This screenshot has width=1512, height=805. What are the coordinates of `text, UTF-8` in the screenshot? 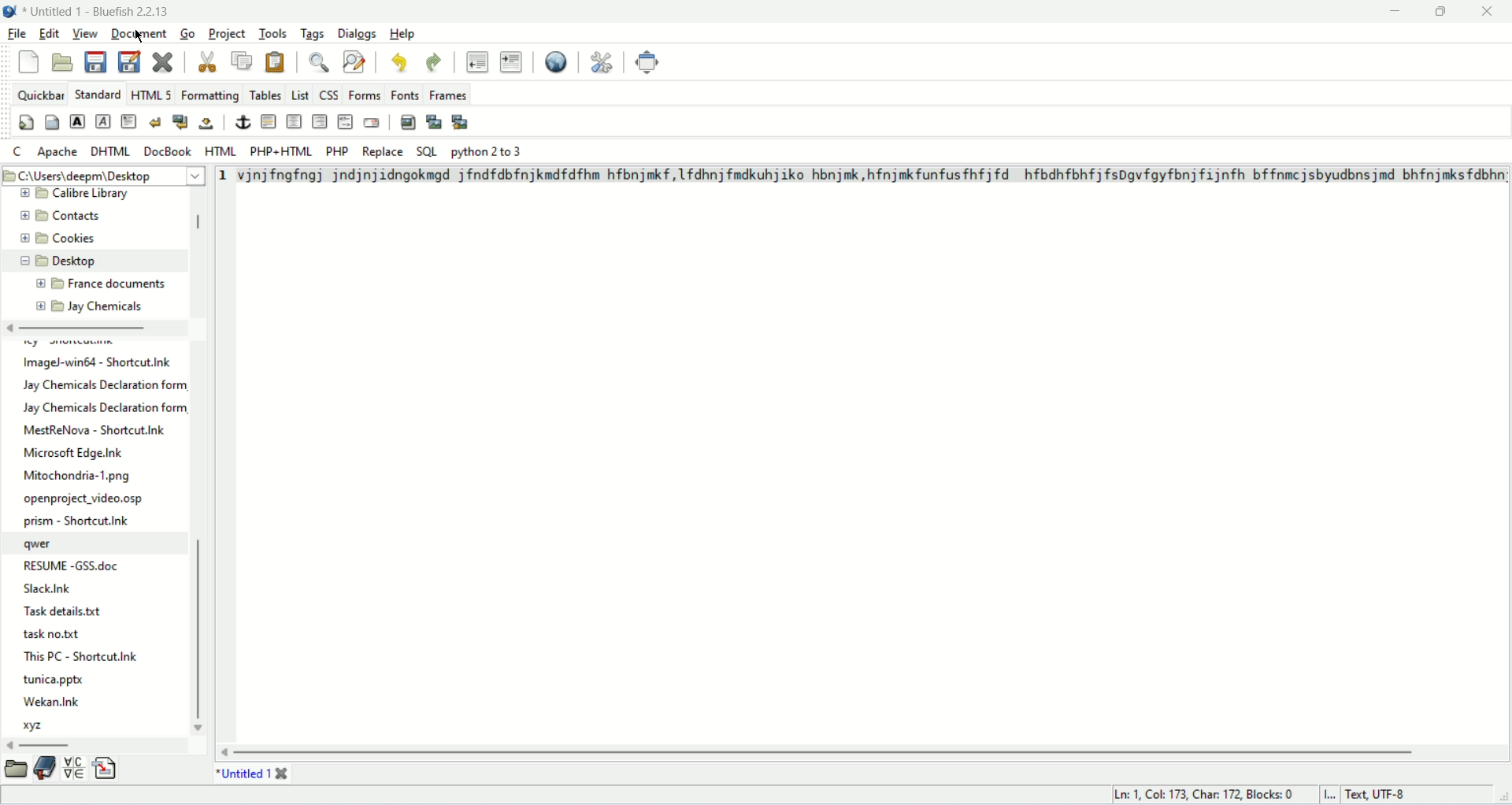 It's located at (1386, 796).